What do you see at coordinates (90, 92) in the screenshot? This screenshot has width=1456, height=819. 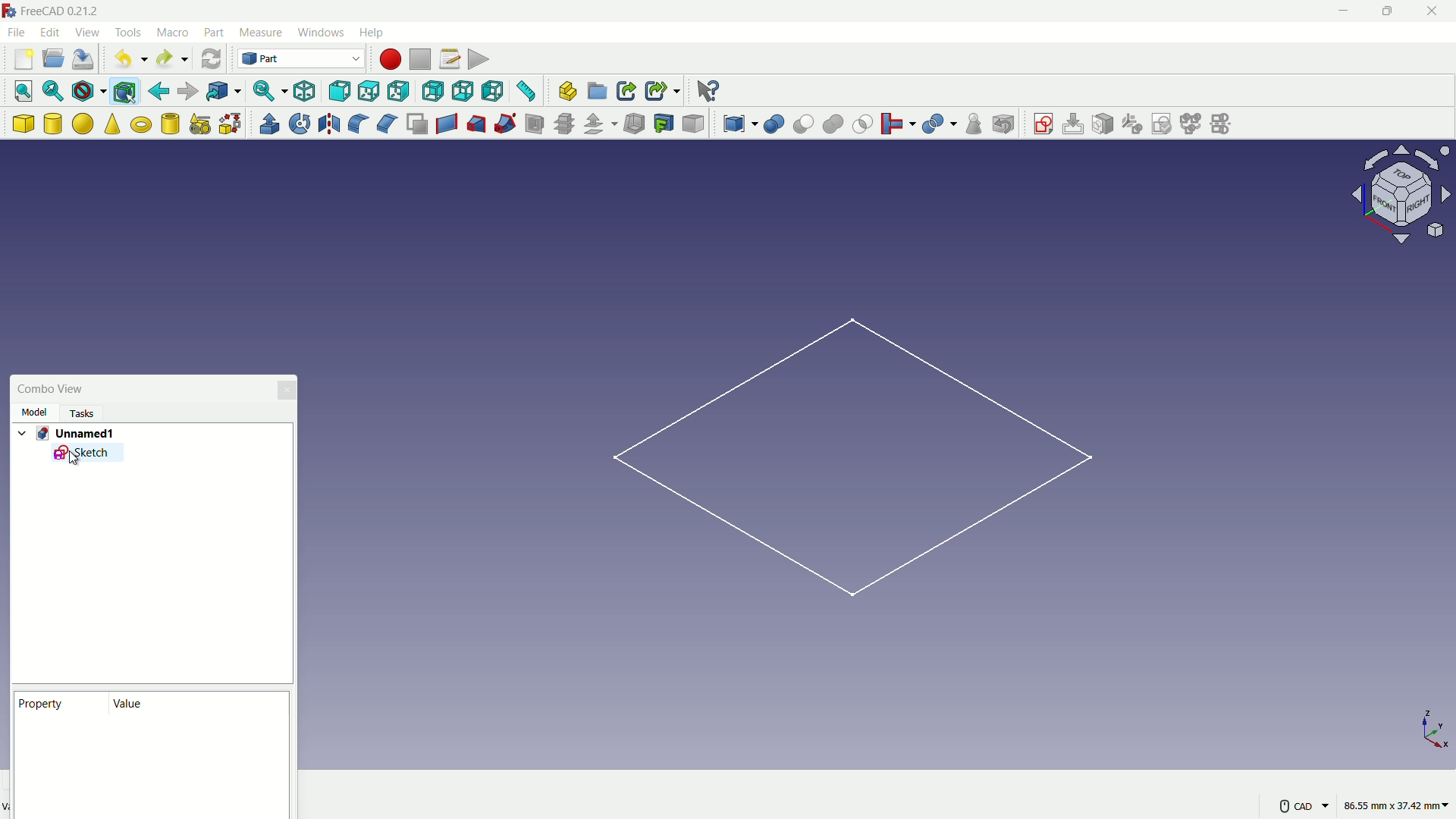 I see `draw styles` at bounding box center [90, 92].